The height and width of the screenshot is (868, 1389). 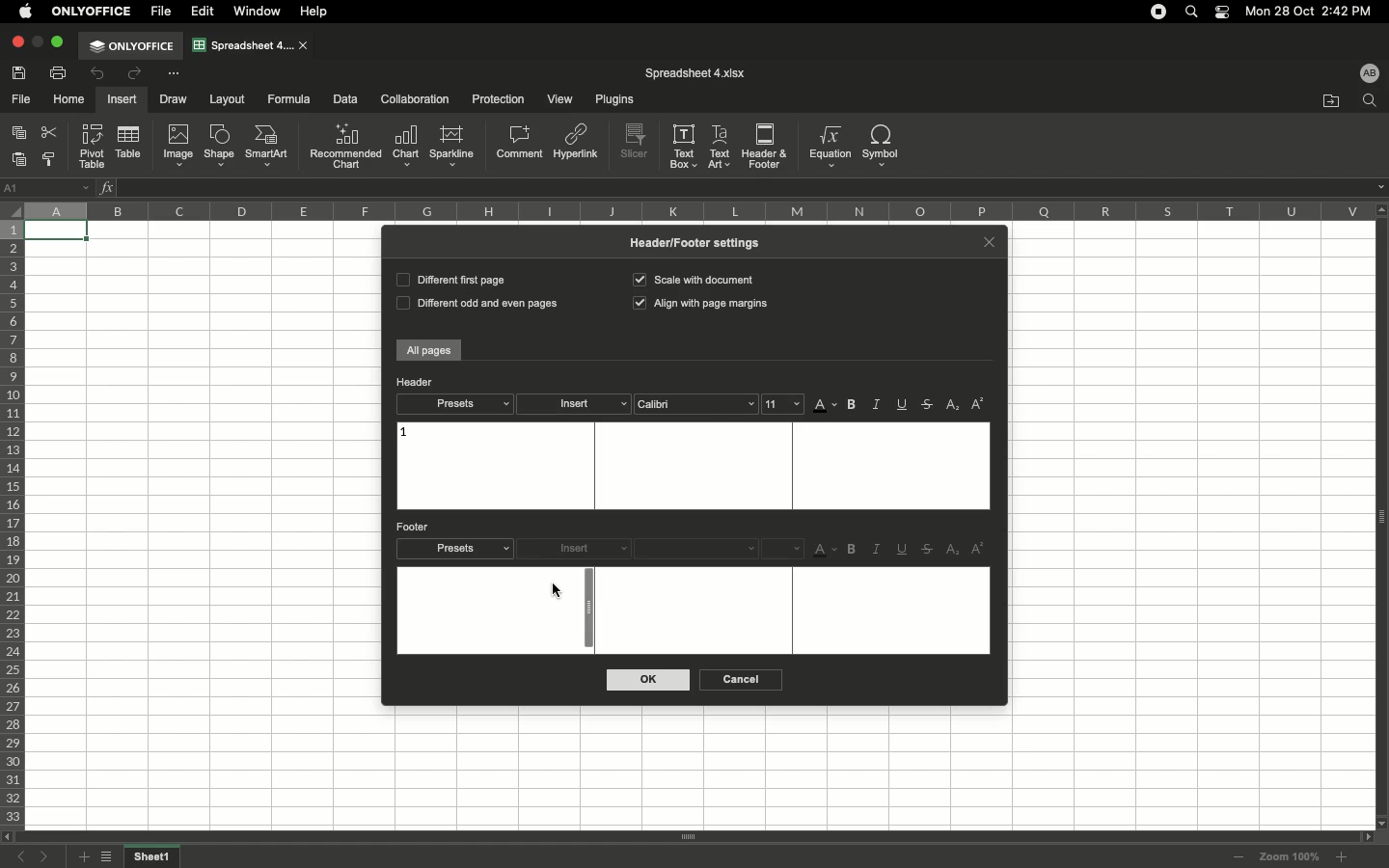 What do you see at coordinates (204, 12) in the screenshot?
I see `Edit` at bounding box center [204, 12].